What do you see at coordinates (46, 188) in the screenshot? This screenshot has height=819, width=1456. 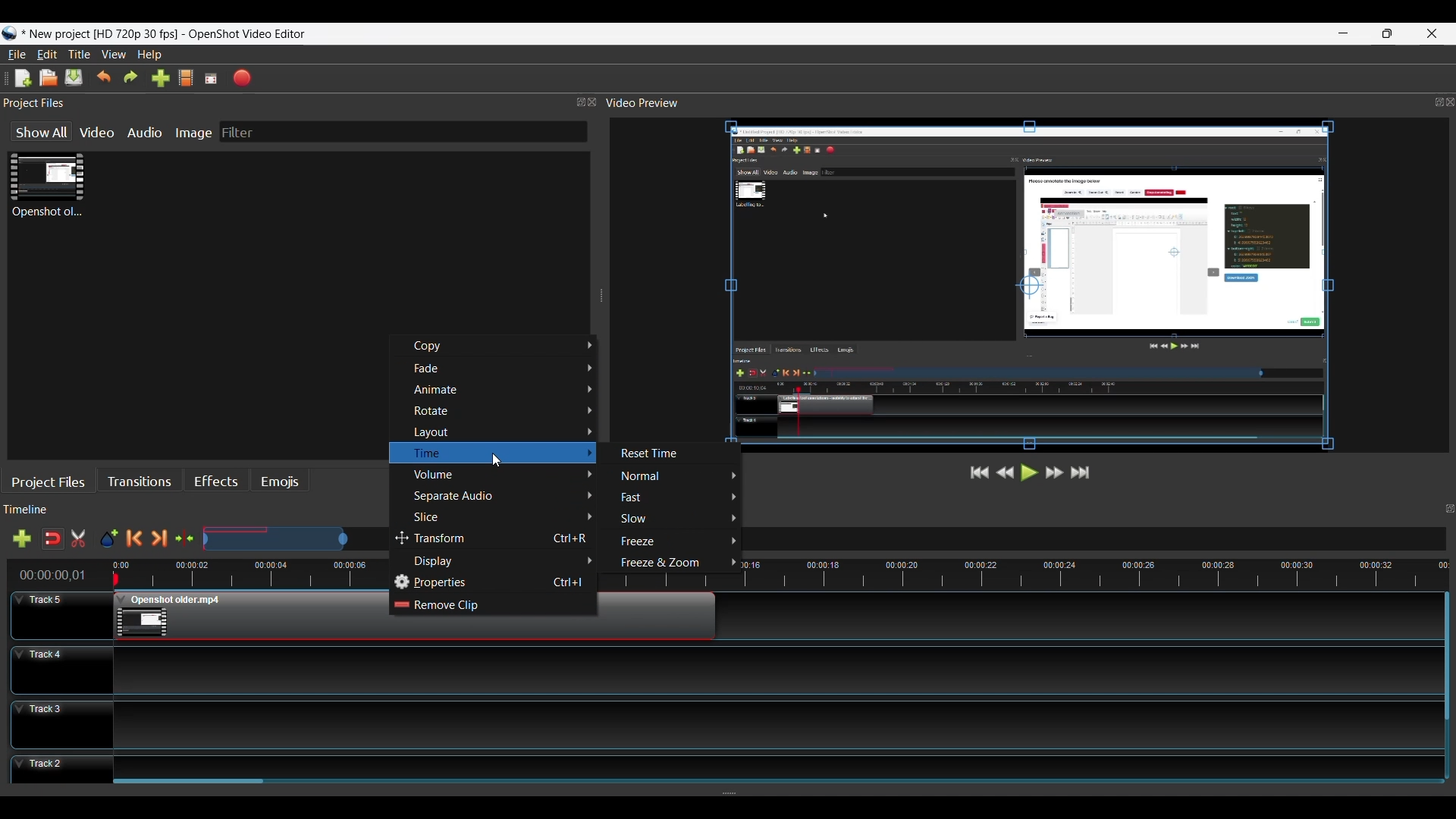 I see `Clip` at bounding box center [46, 188].